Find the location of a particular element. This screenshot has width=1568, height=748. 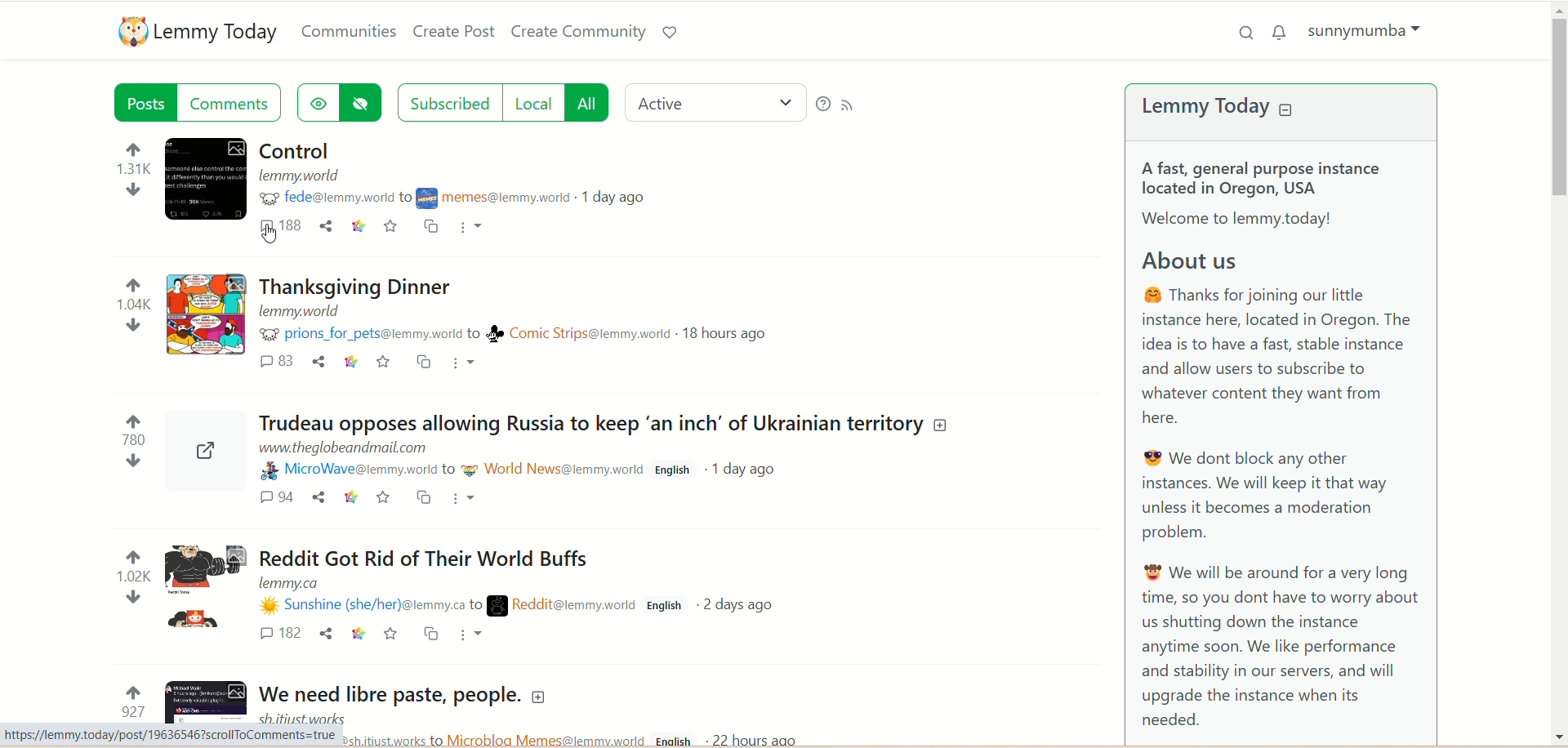

Expand the post with the image details is located at coordinates (206, 702).